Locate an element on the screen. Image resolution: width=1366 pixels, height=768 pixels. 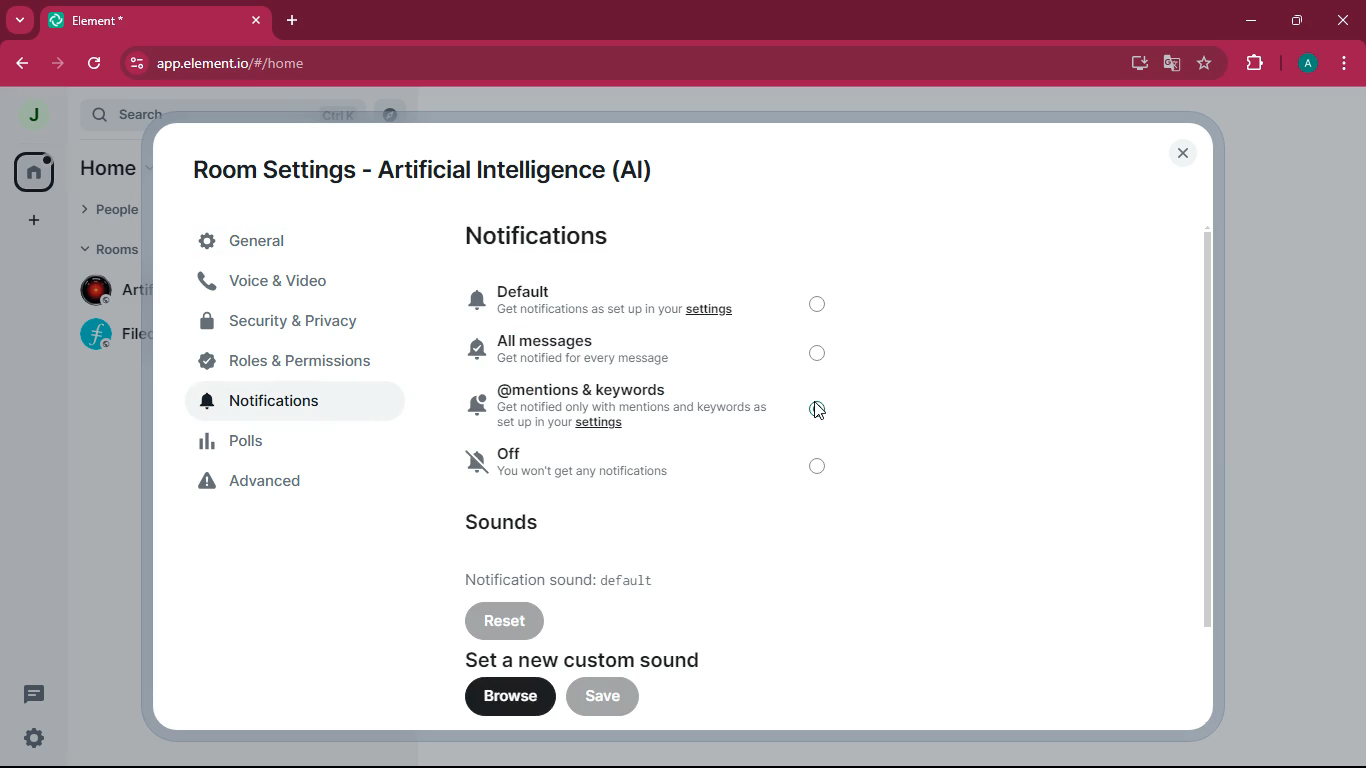
people is located at coordinates (108, 213).